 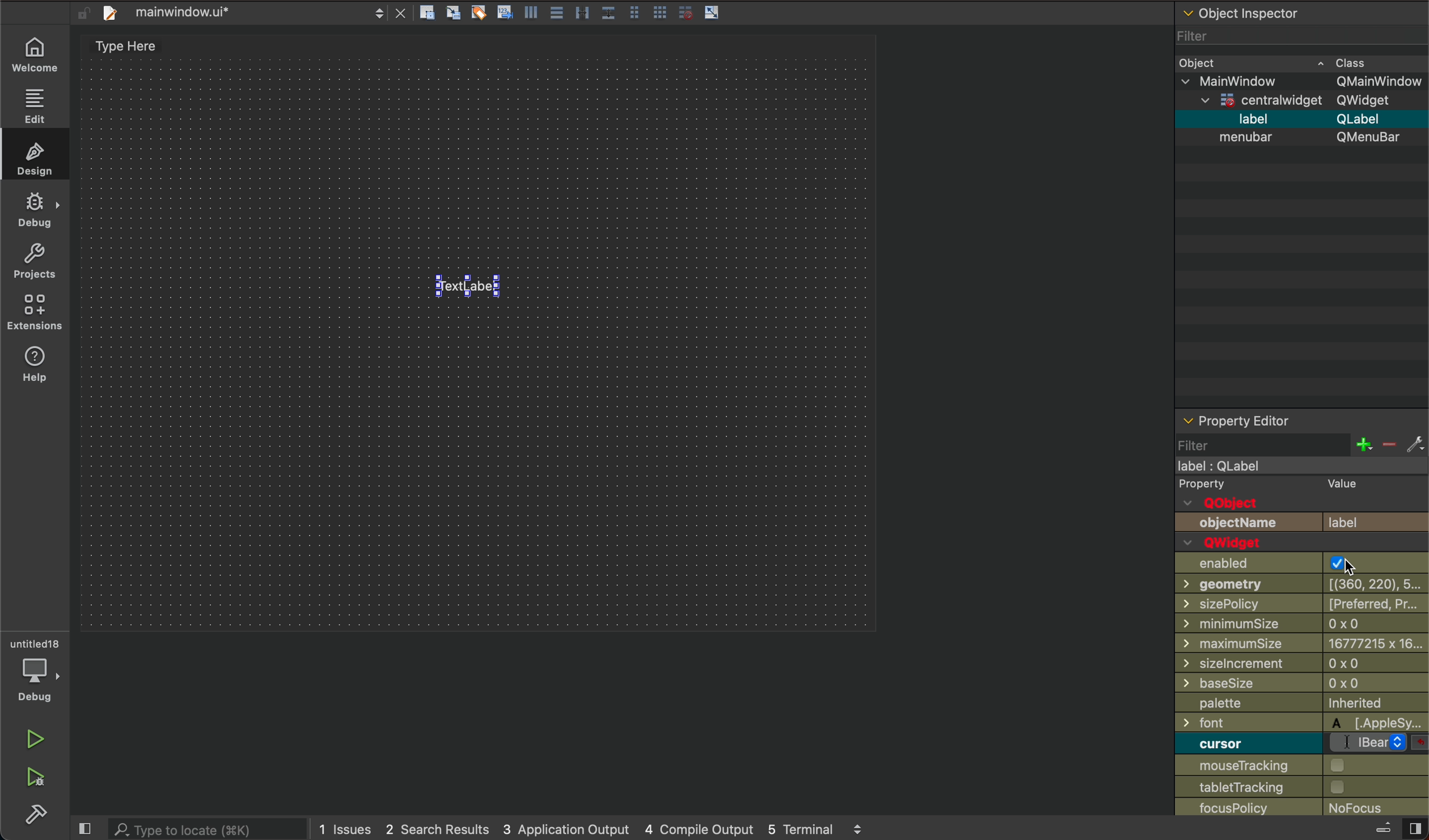 What do you see at coordinates (1236, 80) in the screenshot?
I see `mainwidow` at bounding box center [1236, 80].